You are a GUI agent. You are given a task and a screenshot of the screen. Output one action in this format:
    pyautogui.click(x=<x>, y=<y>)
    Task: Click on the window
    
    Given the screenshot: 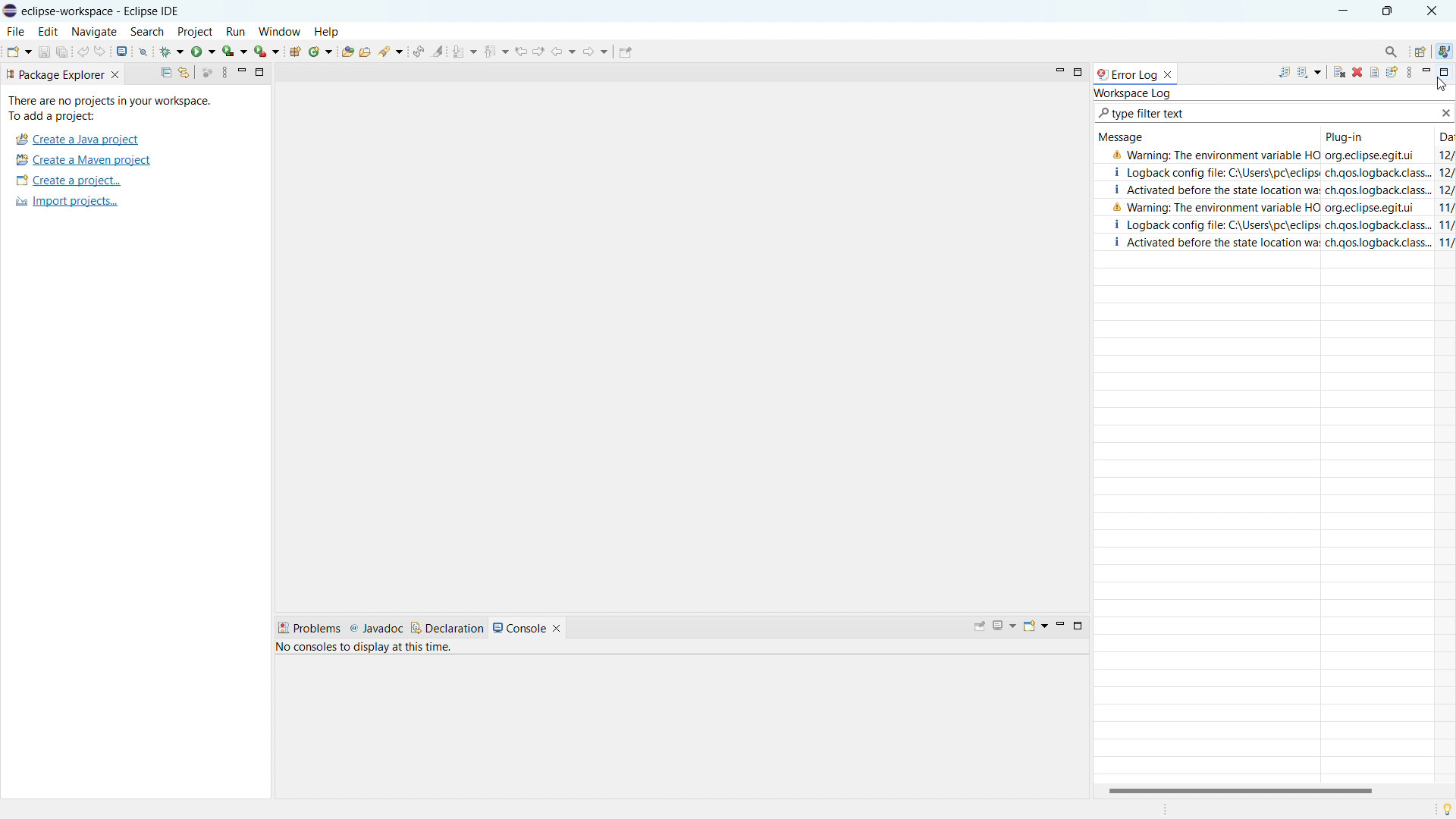 What is the action you would take?
    pyautogui.click(x=280, y=31)
    